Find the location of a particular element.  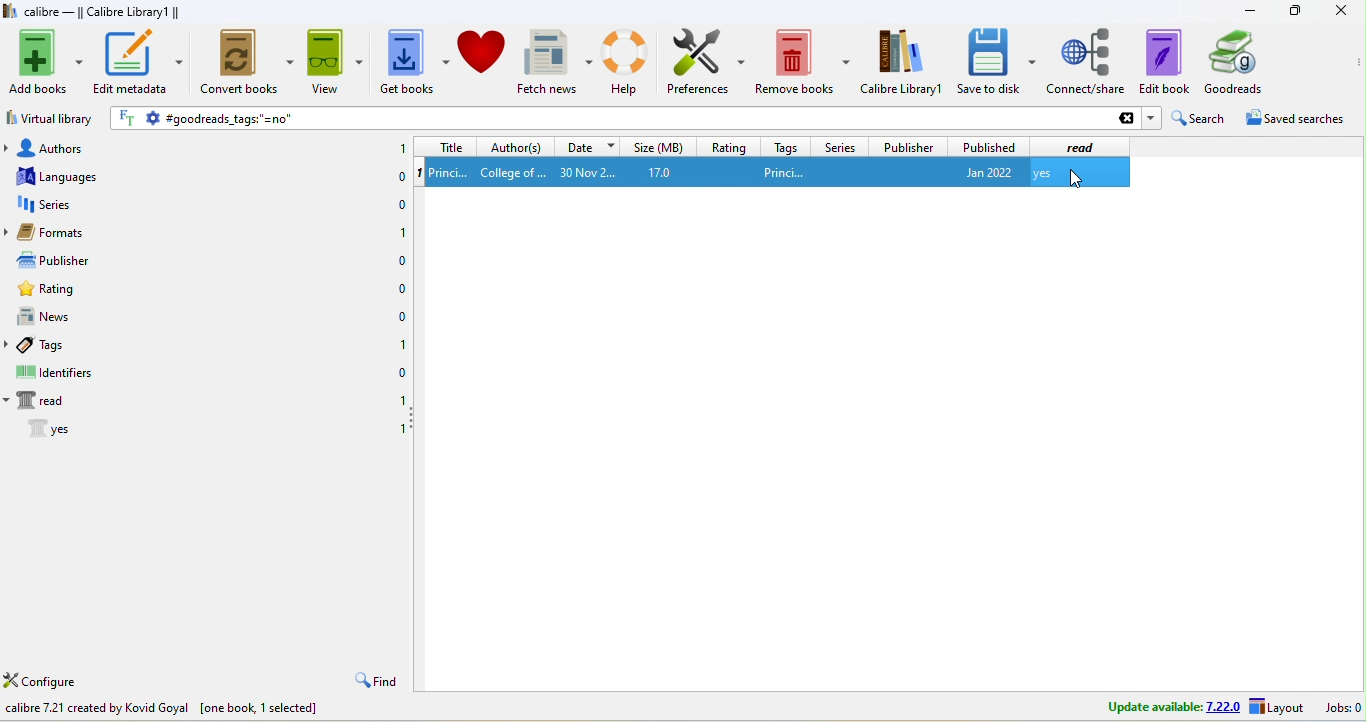

princi is located at coordinates (785, 173).